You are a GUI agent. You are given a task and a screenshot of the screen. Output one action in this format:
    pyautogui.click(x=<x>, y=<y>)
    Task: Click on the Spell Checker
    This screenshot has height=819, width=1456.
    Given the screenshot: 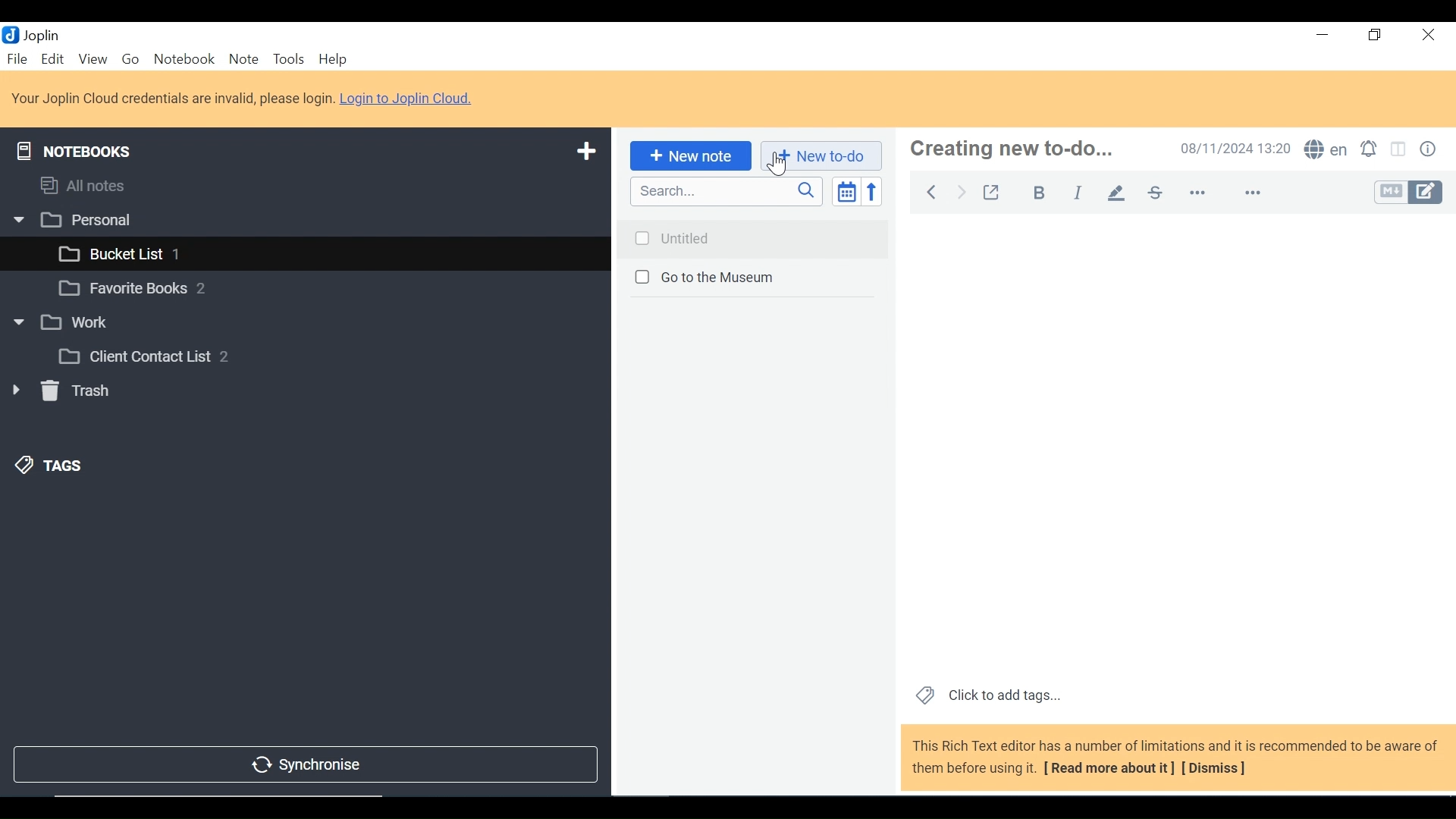 What is the action you would take?
    pyautogui.click(x=1328, y=150)
    